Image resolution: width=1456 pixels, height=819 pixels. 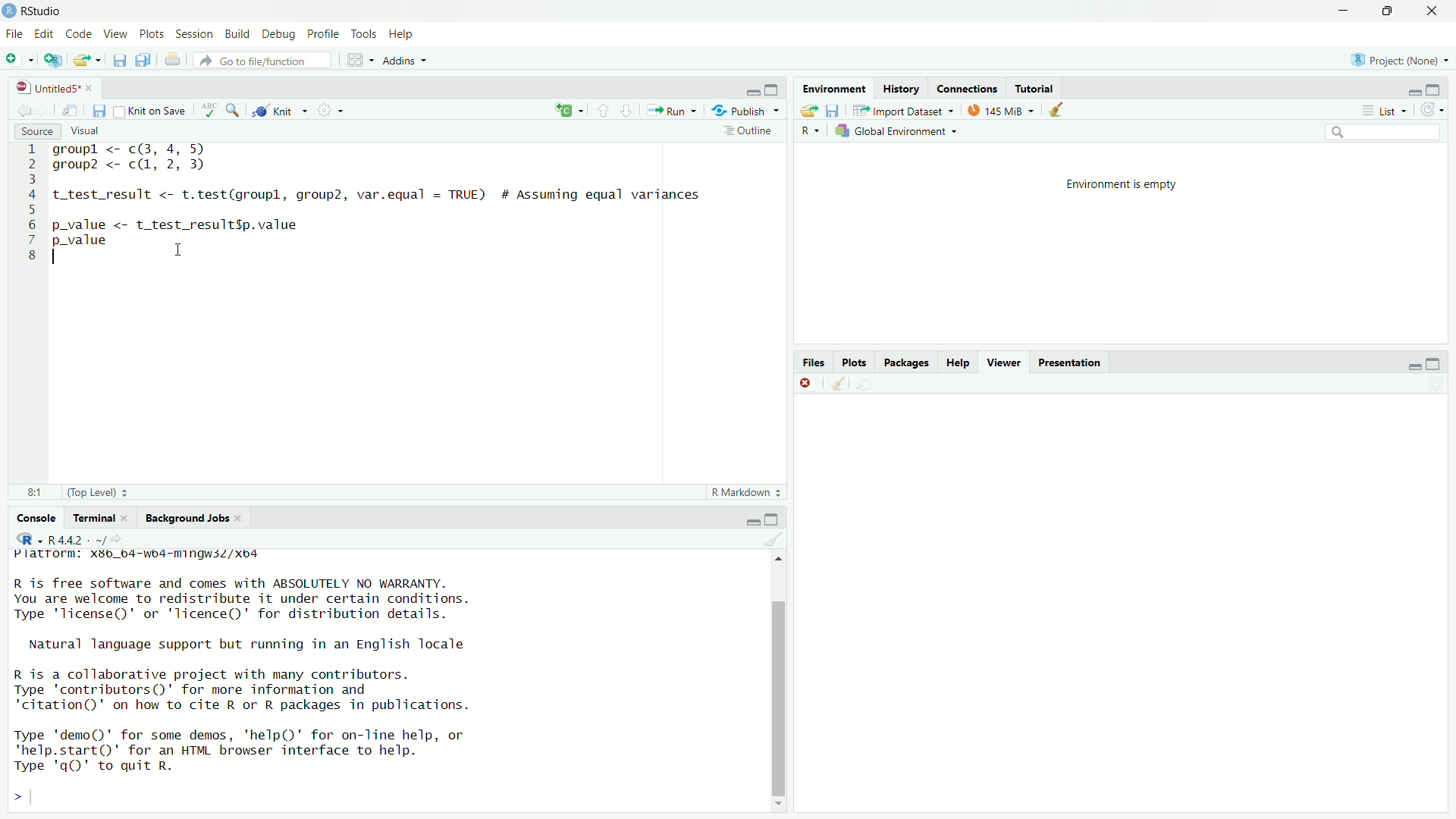 What do you see at coordinates (603, 109) in the screenshot?
I see `go to previous section` at bounding box center [603, 109].